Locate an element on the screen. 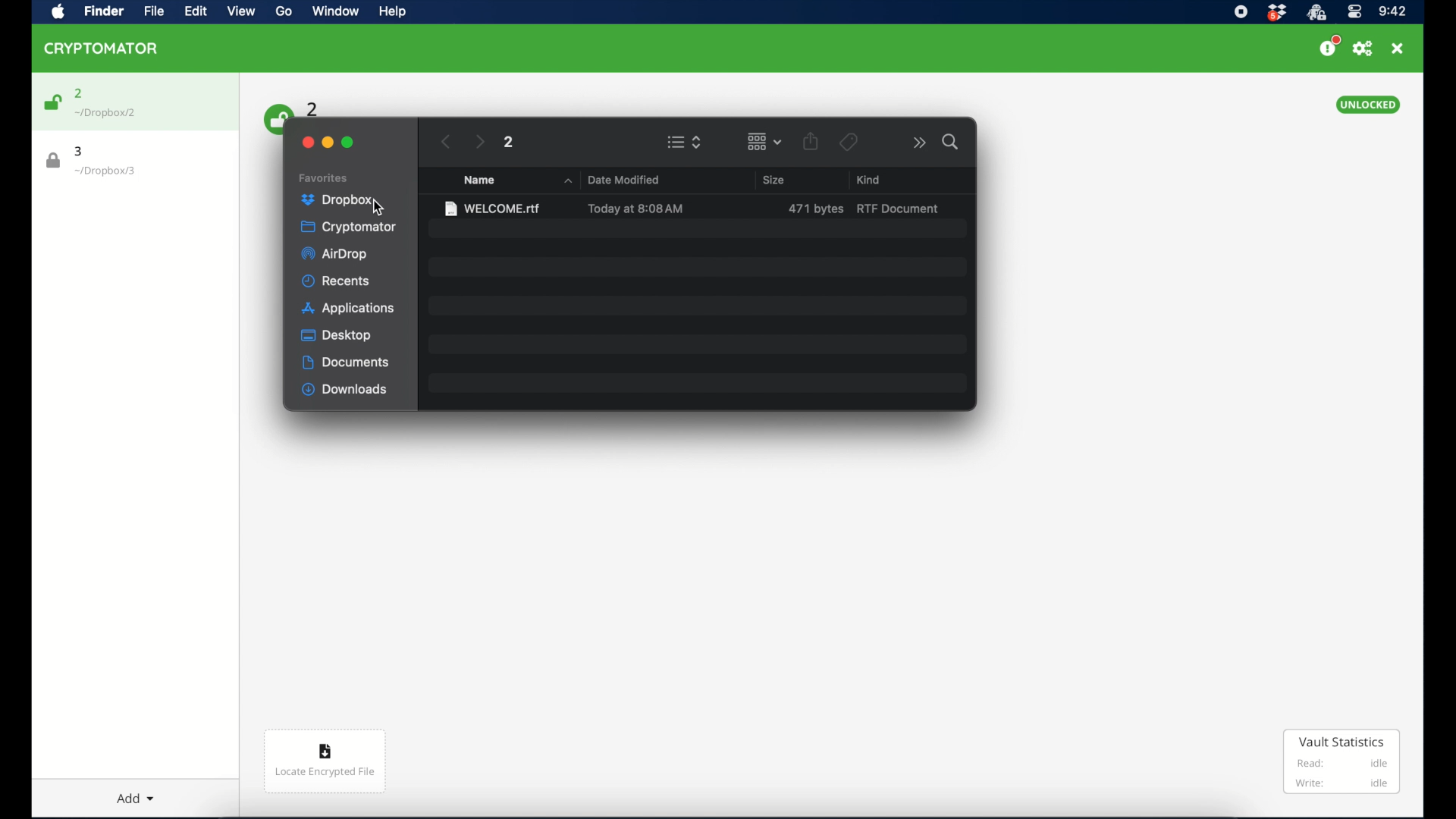 The width and height of the screenshot is (1456, 819). screen recorder icon is located at coordinates (1240, 12).